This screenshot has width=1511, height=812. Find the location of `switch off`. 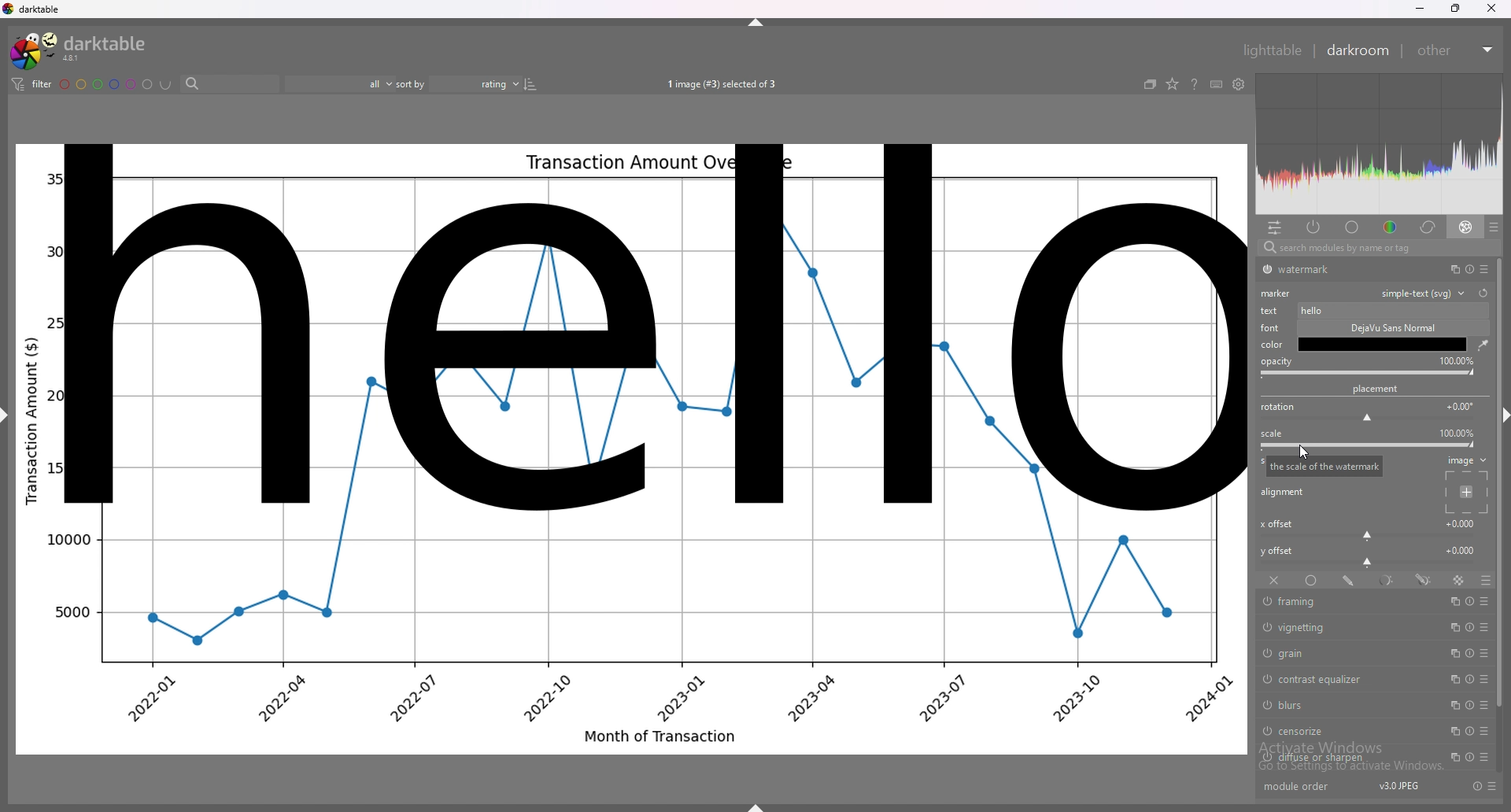

switch off is located at coordinates (1265, 270).